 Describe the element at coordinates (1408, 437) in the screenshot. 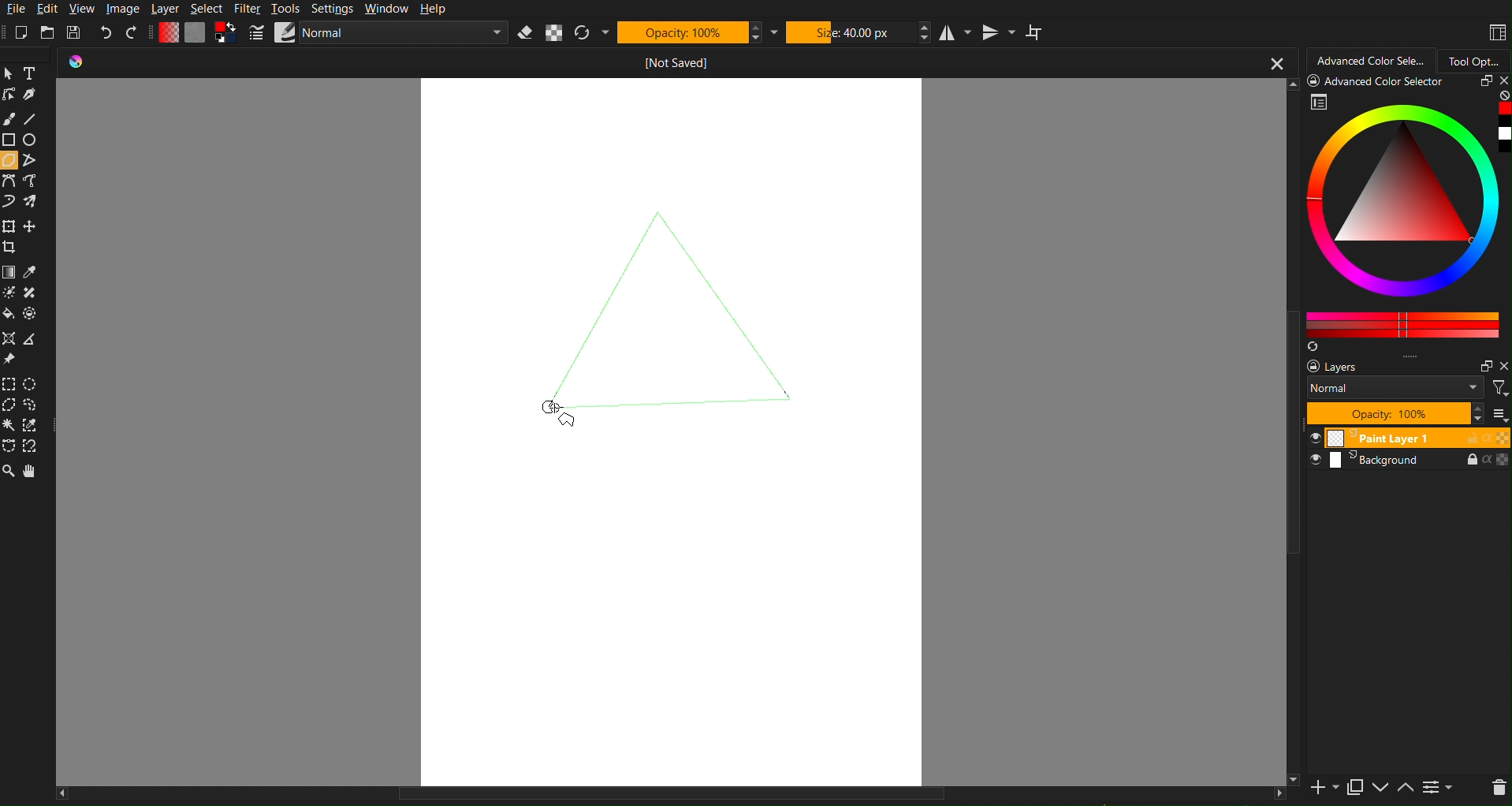

I see `paint layer 1` at that location.